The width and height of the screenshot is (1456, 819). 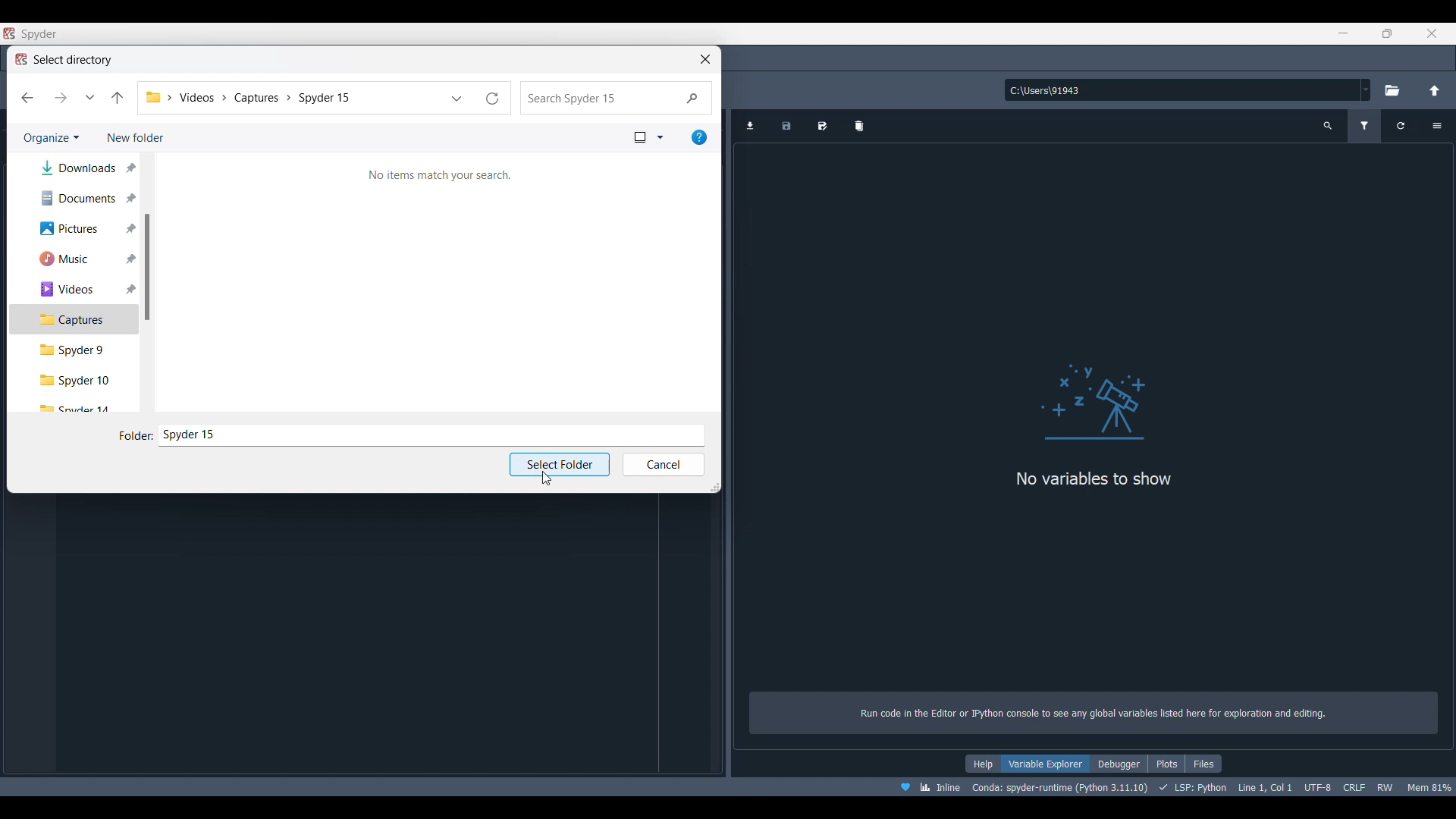 What do you see at coordinates (80, 228) in the screenshot?
I see `Pictures` at bounding box center [80, 228].